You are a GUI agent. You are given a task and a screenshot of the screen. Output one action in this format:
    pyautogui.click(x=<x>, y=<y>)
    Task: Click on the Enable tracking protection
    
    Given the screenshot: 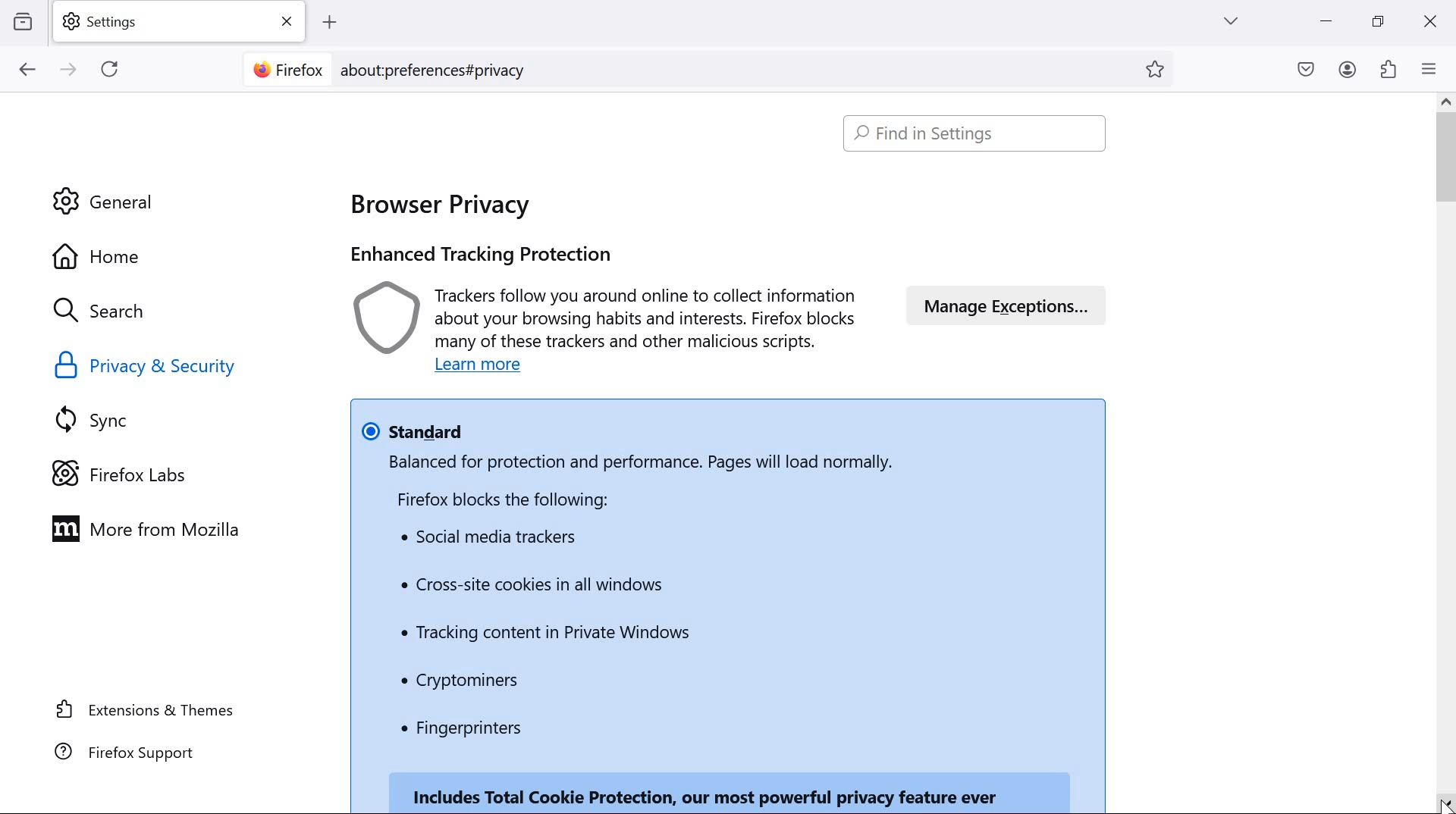 What is the action you would take?
    pyautogui.click(x=491, y=253)
    